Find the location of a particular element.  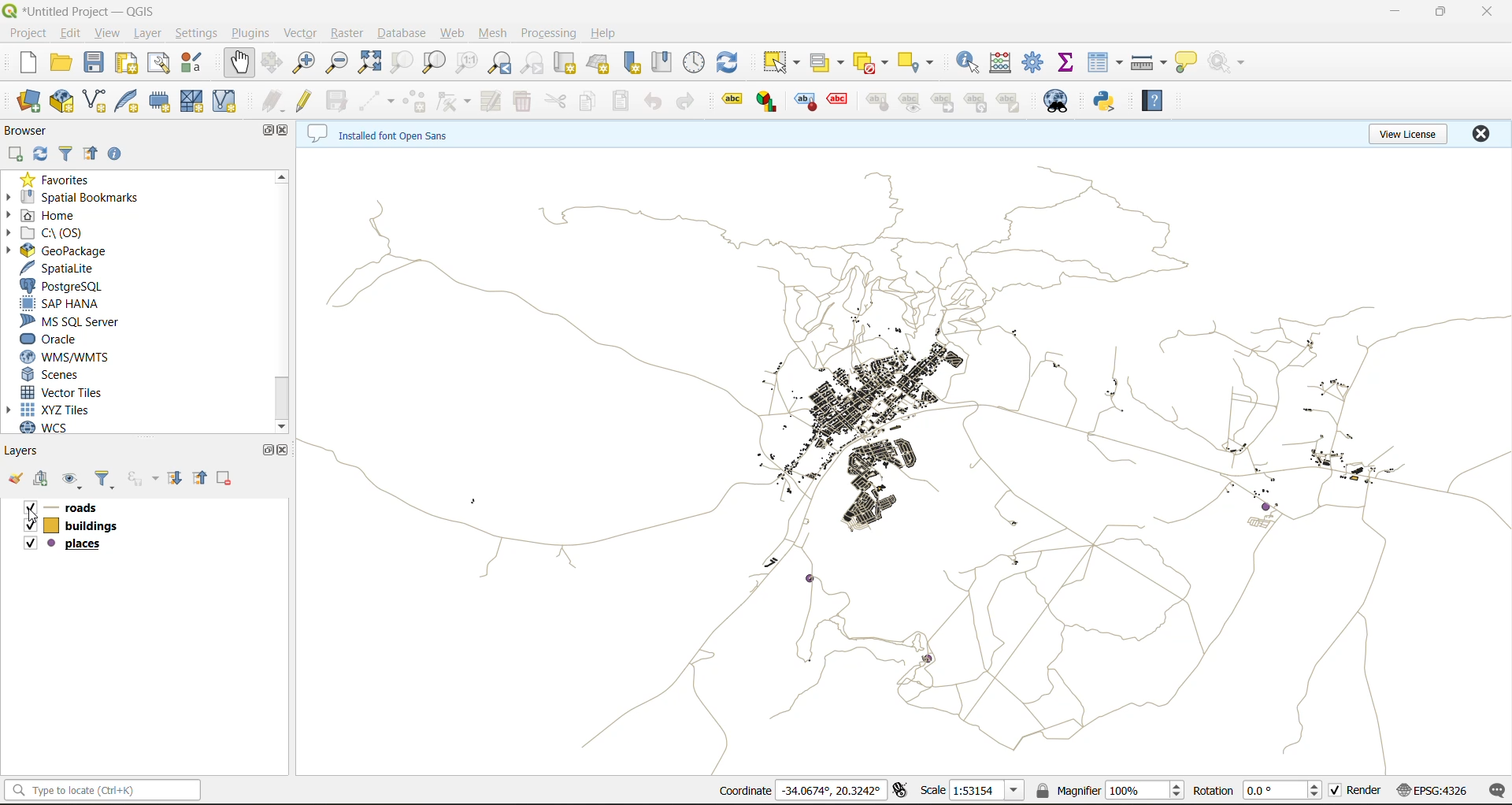

filter is located at coordinates (69, 153).